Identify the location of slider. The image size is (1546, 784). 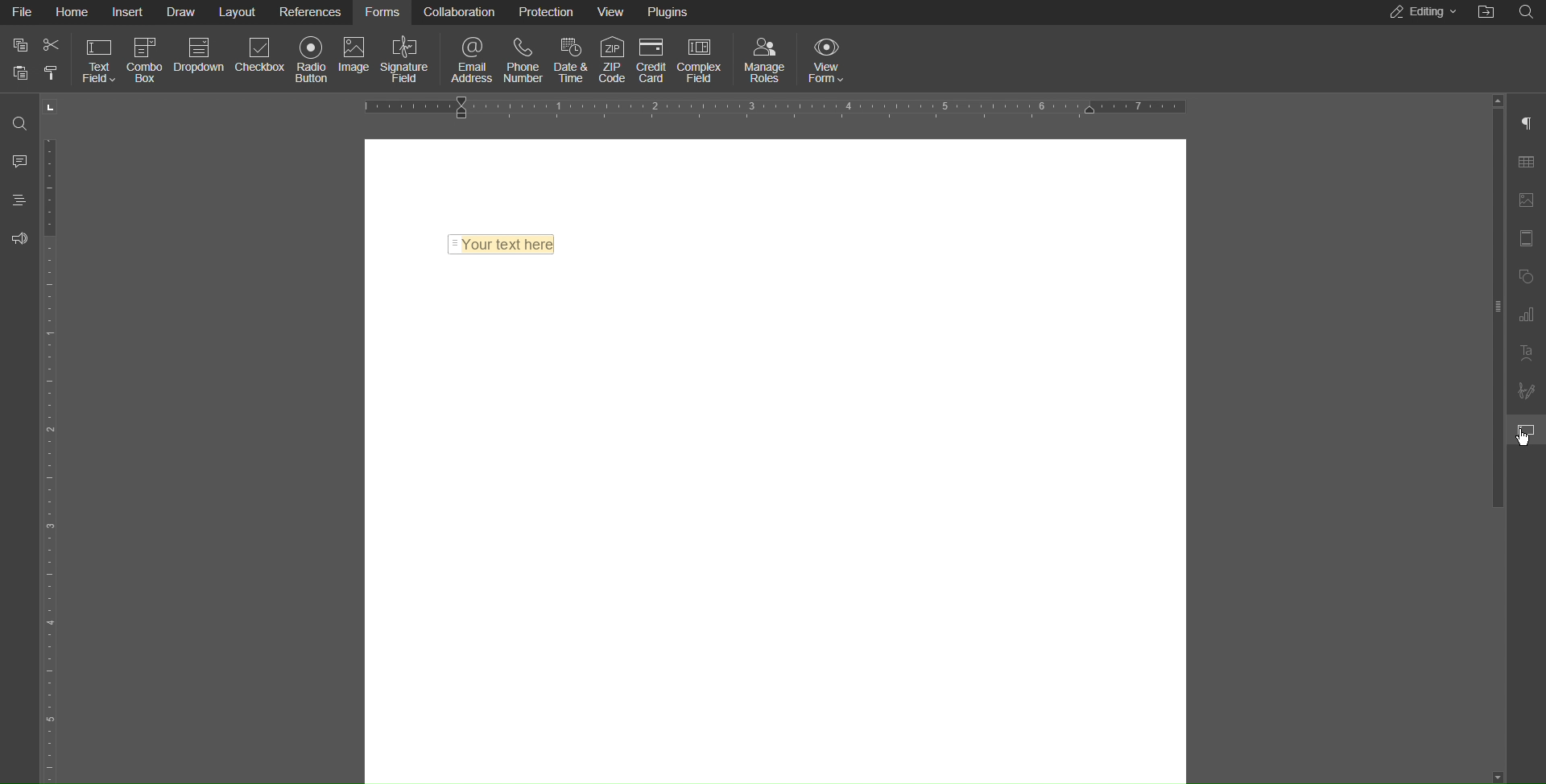
(1500, 439).